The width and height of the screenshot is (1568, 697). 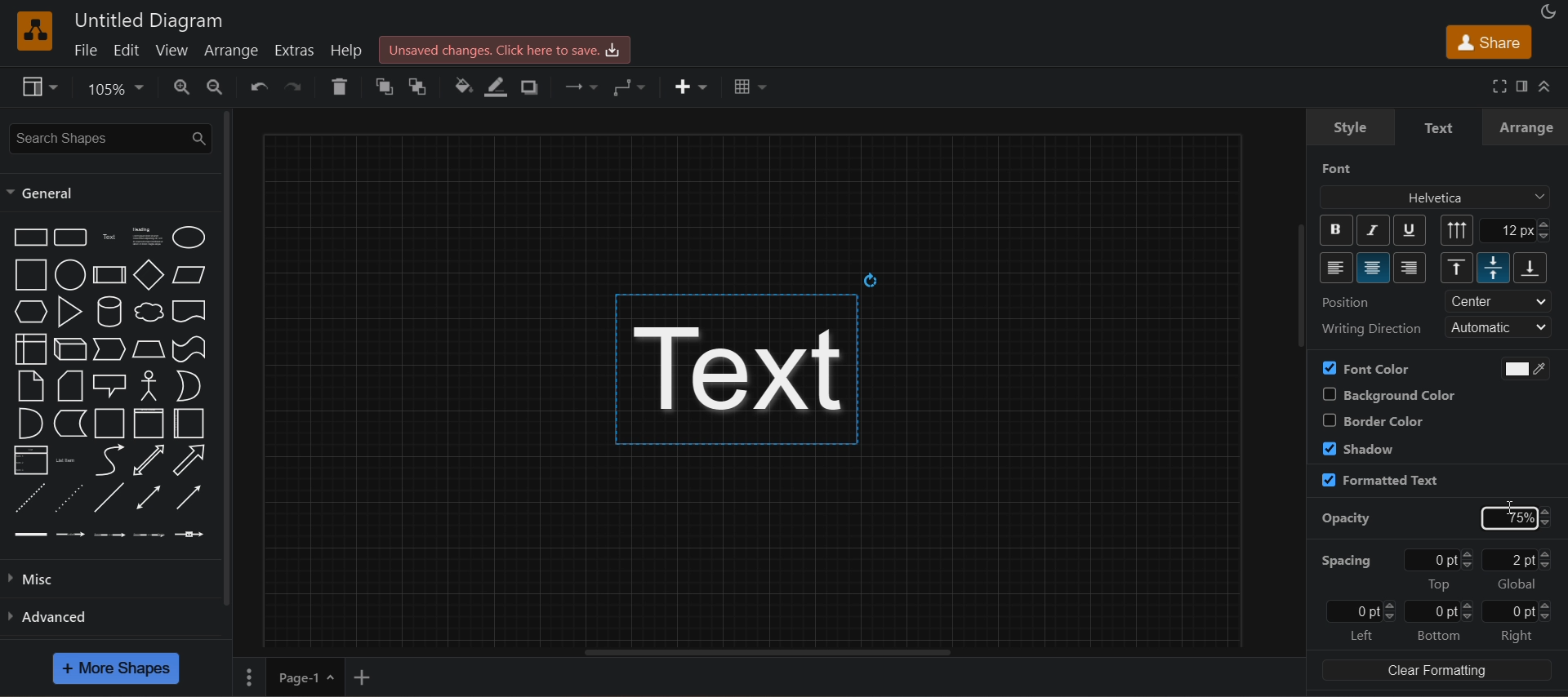 What do you see at coordinates (31, 386) in the screenshot?
I see `note` at bounding box center [31, 386].